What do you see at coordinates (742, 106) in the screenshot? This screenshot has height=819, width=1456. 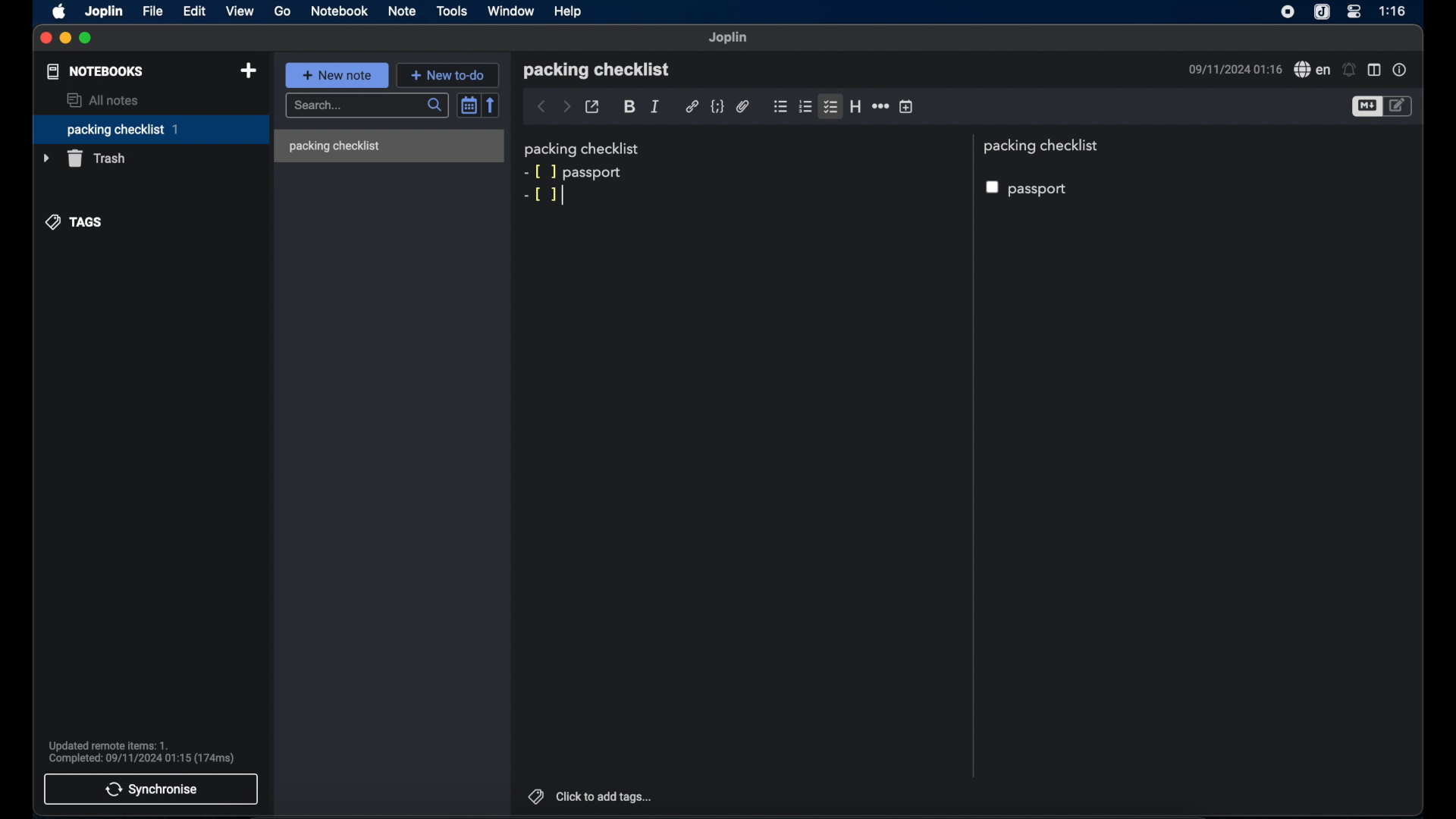 I see `attach file` at bounding box center [742, 106].